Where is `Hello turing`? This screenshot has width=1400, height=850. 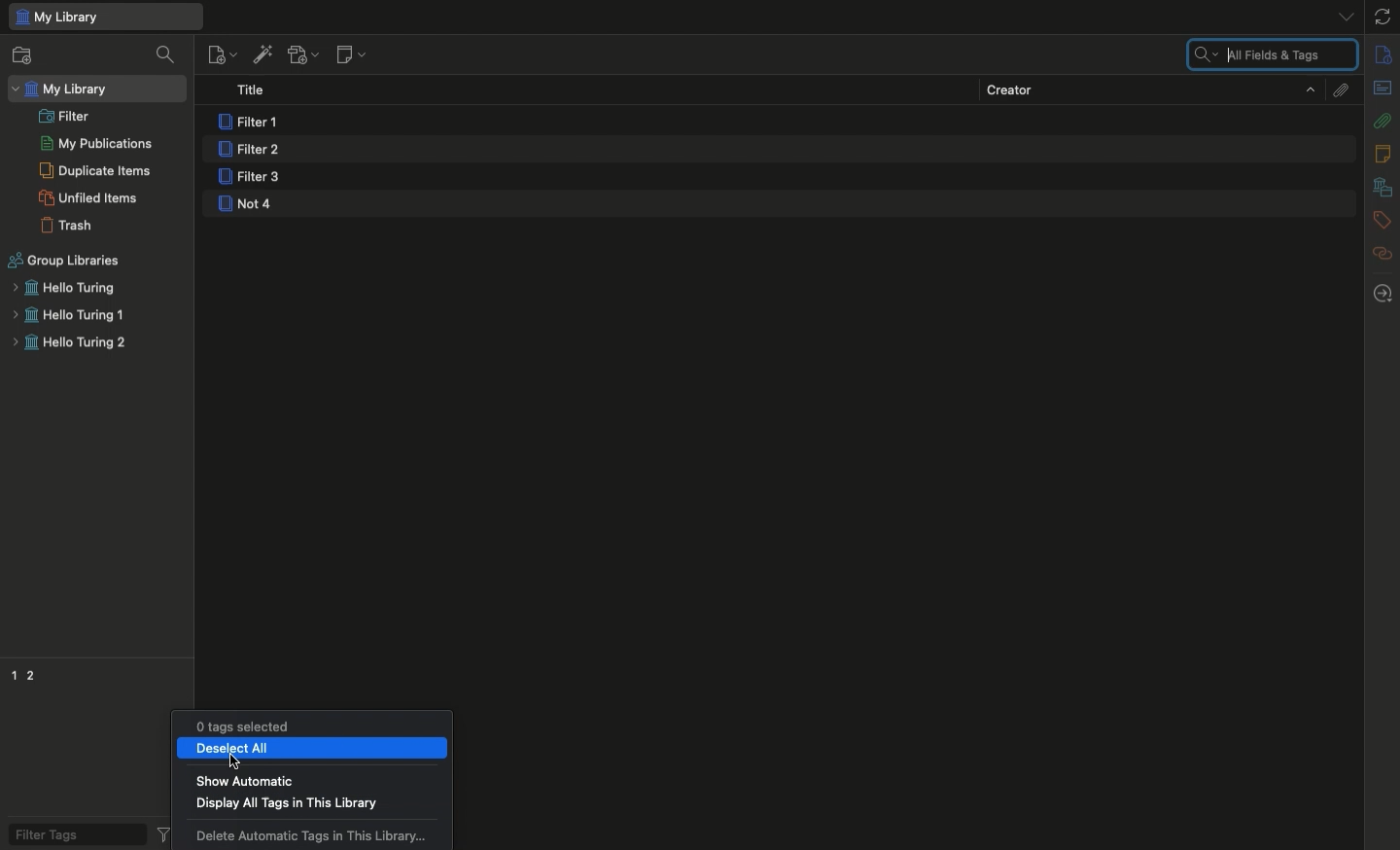
Hello turing is located at coordinates (62, 288).